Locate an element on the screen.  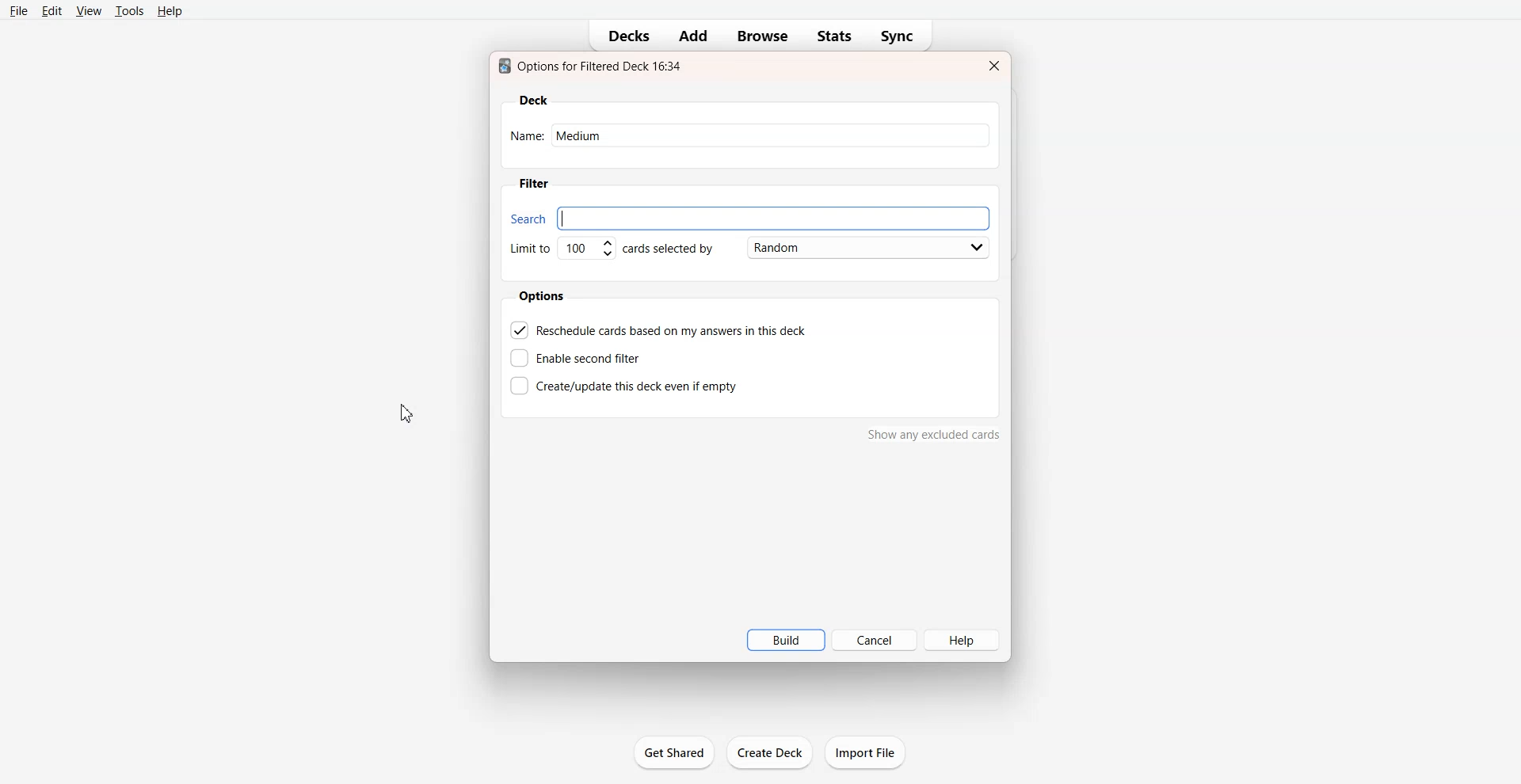
View is located at coordinates (89, 10).